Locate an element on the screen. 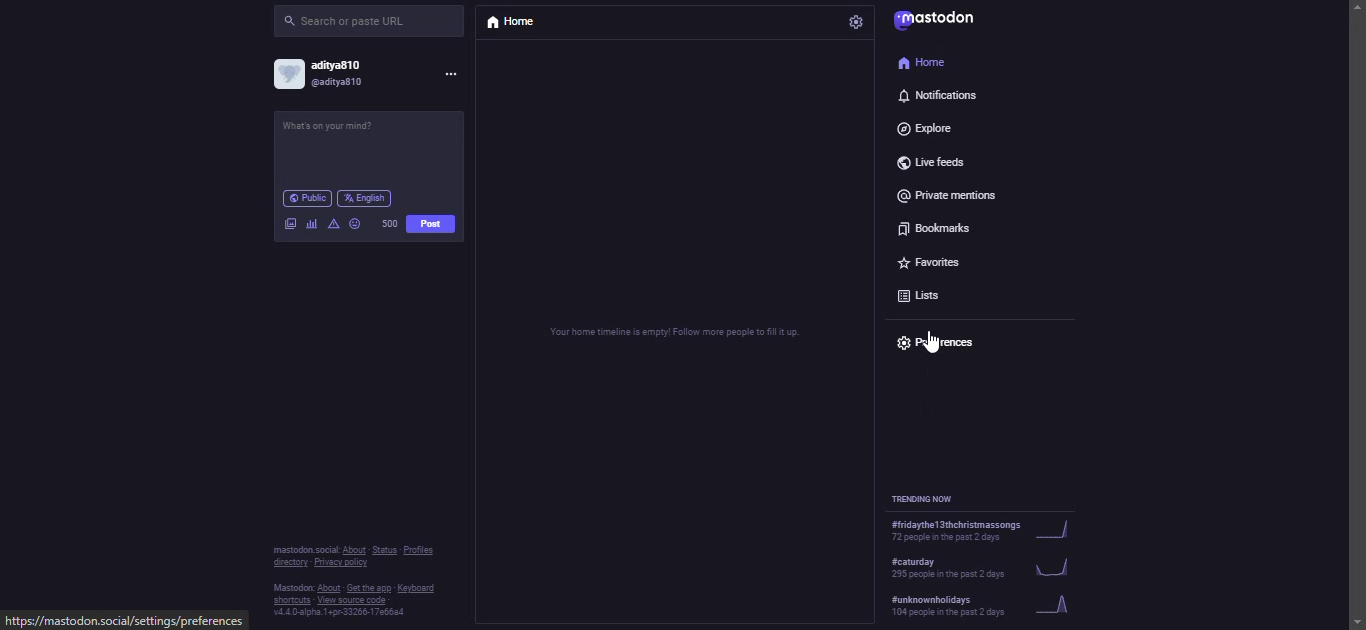  info is located at coordinates (353, 585).